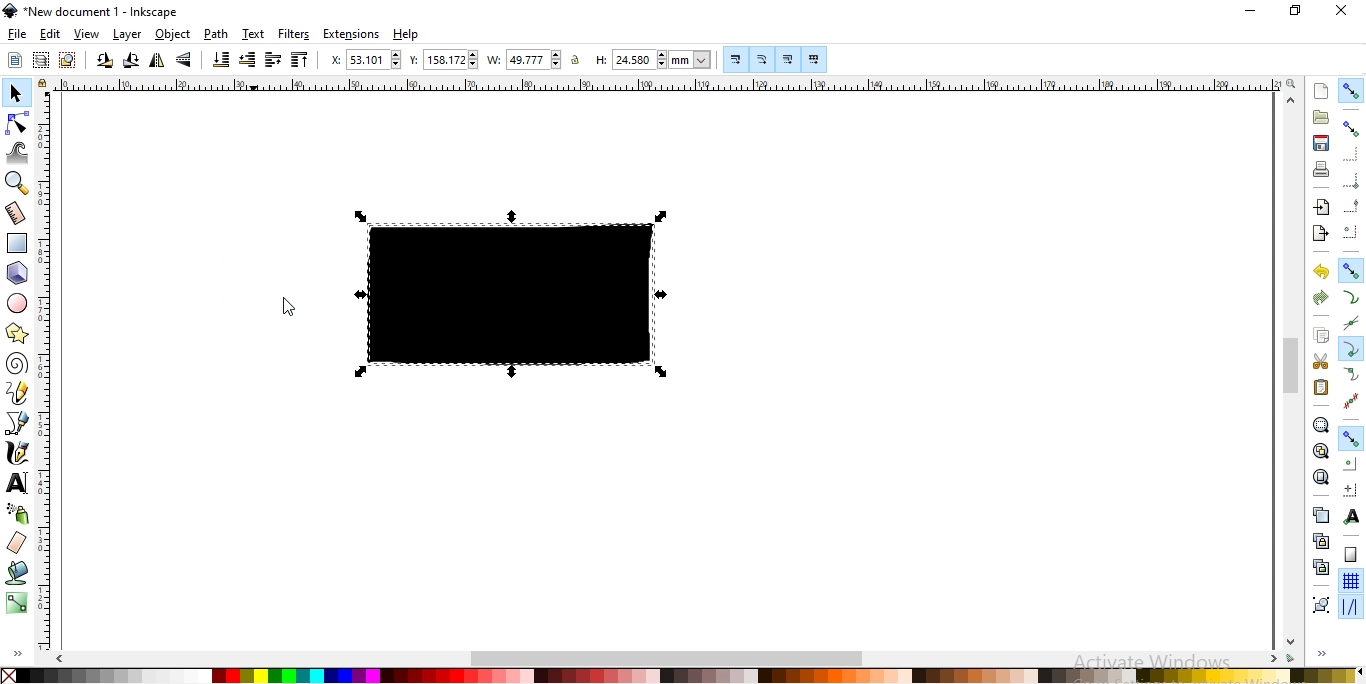 The height and width of the screenshot is (684, 1366). Describe the element at coordinates (220, 60) in the screenshot. I see `lower selection to bottom` at that location.